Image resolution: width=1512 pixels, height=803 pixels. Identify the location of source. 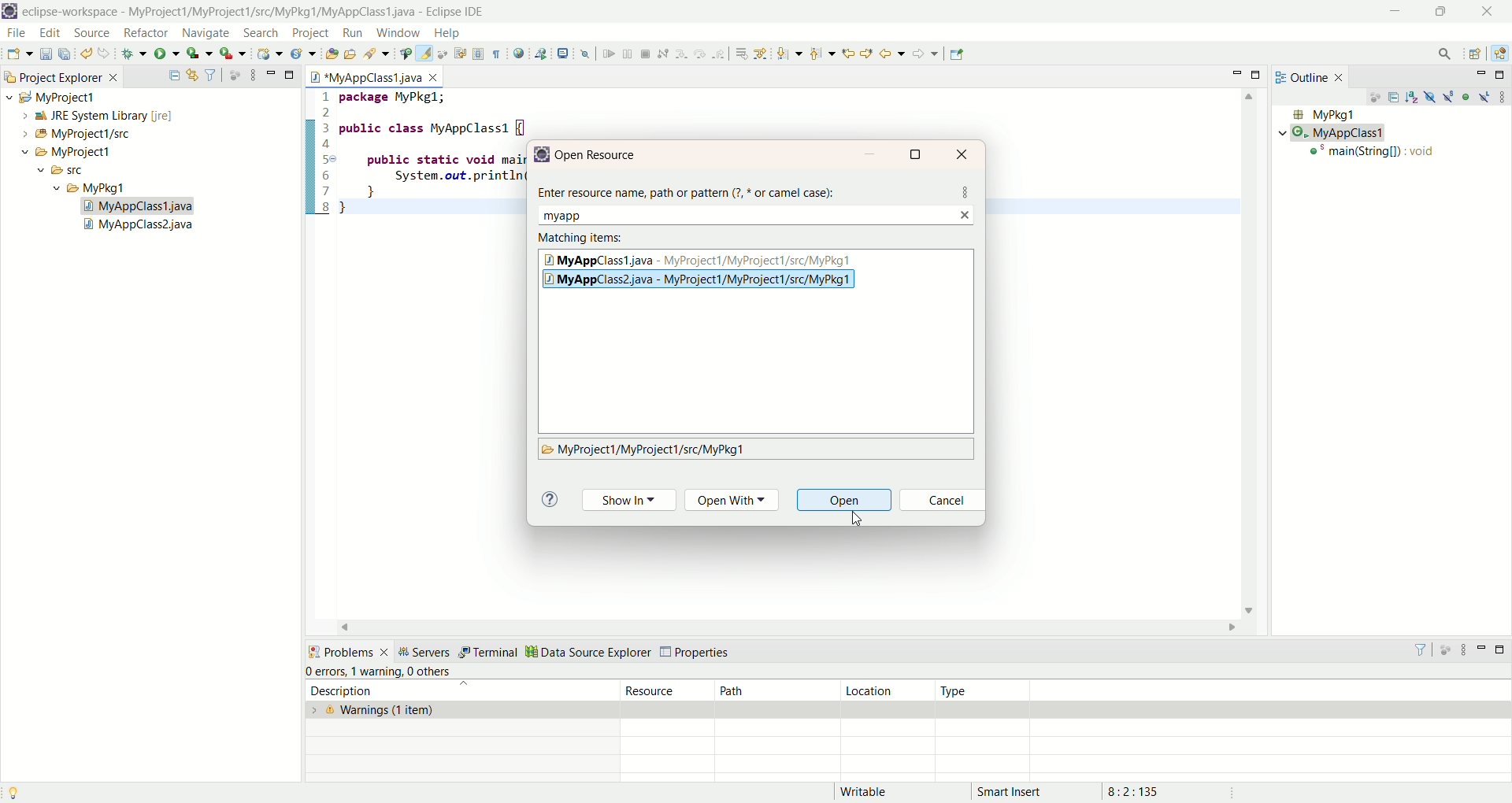
(94, 34).